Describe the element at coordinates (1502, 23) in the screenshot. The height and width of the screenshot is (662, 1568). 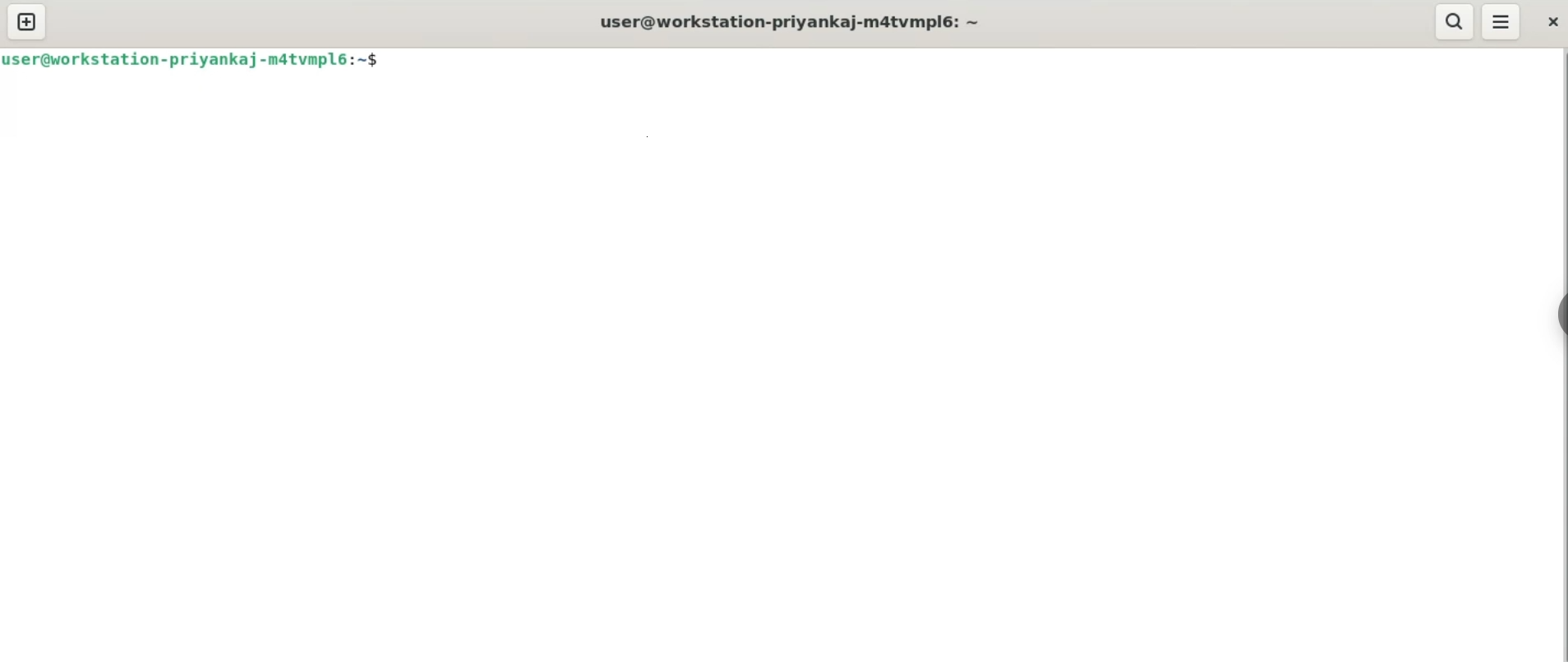
I see `menu` at that location.